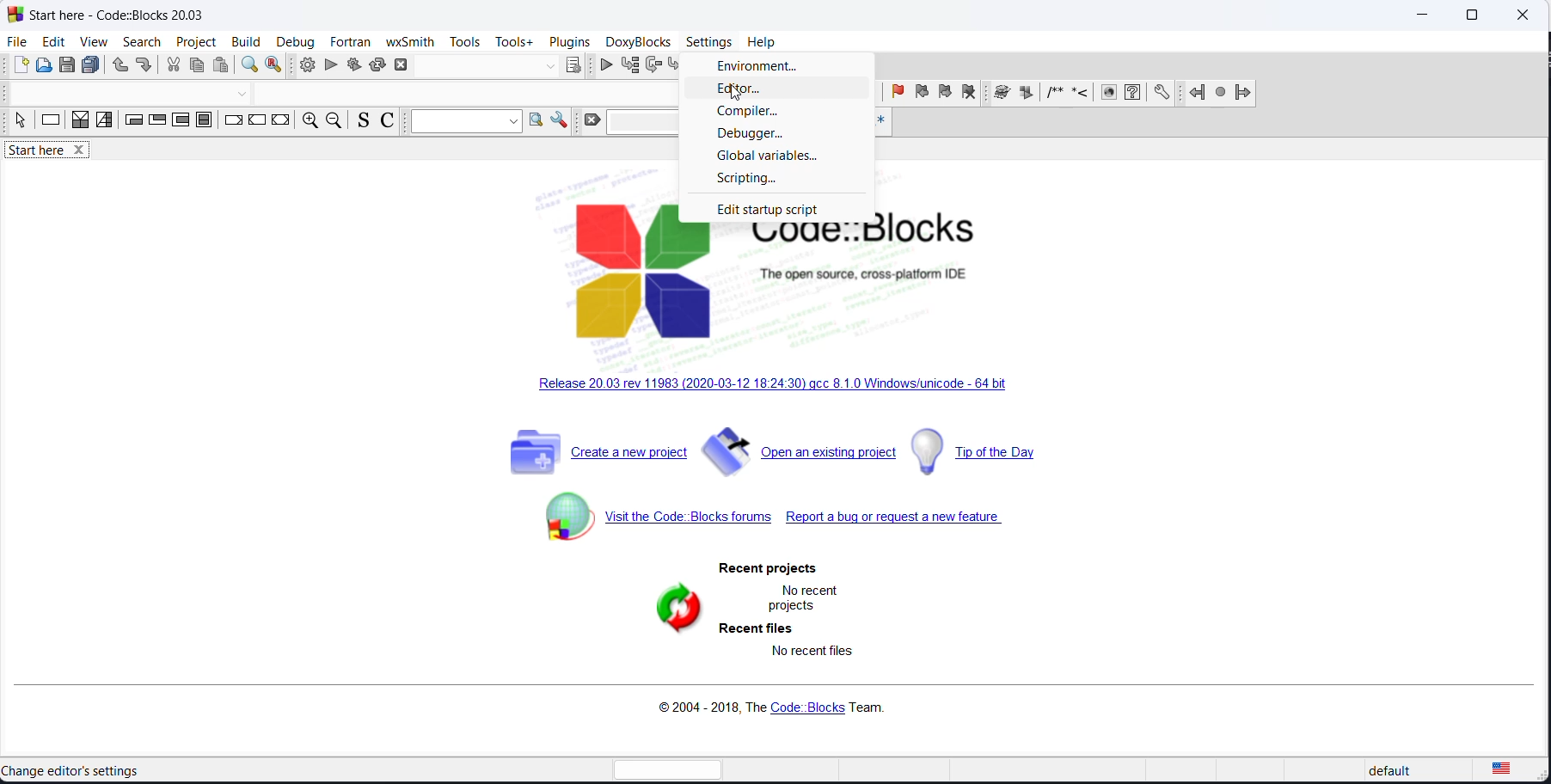 This screenshot has height=784, width=1551. I want to click on find, so click(248, 65).